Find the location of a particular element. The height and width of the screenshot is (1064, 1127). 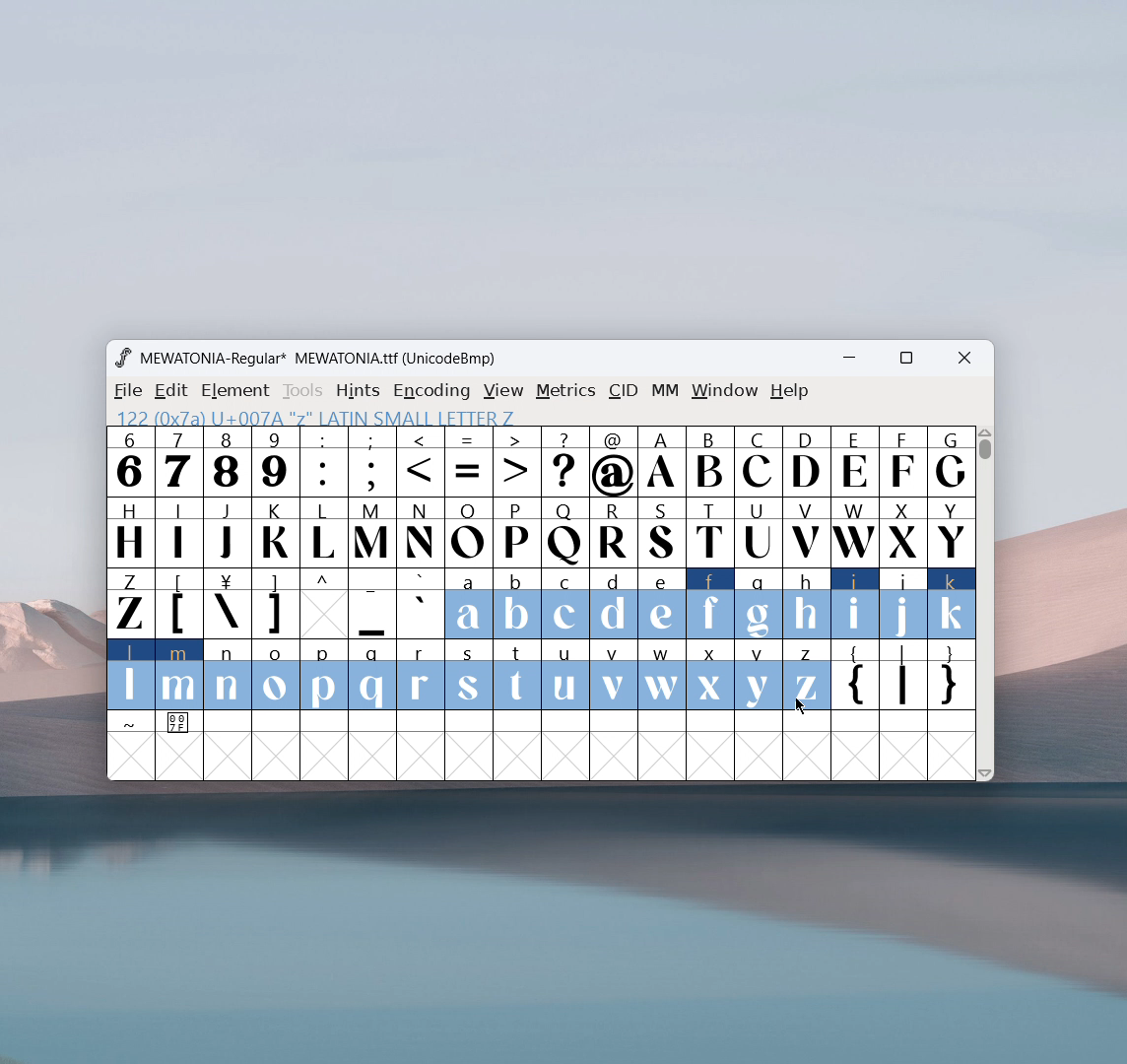

S is located at coordinates (662, 534).